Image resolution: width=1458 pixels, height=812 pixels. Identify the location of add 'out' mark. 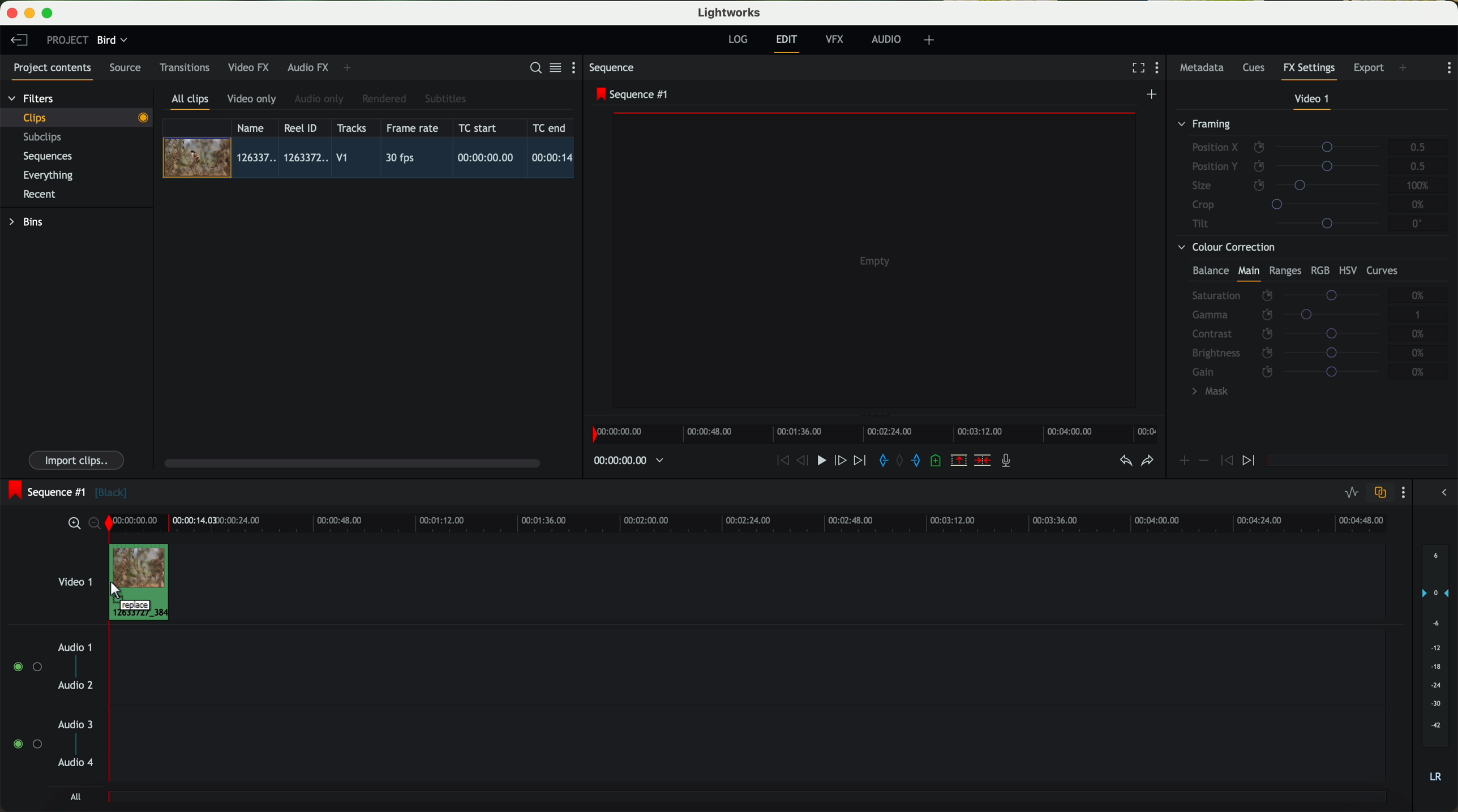
(921, 459).